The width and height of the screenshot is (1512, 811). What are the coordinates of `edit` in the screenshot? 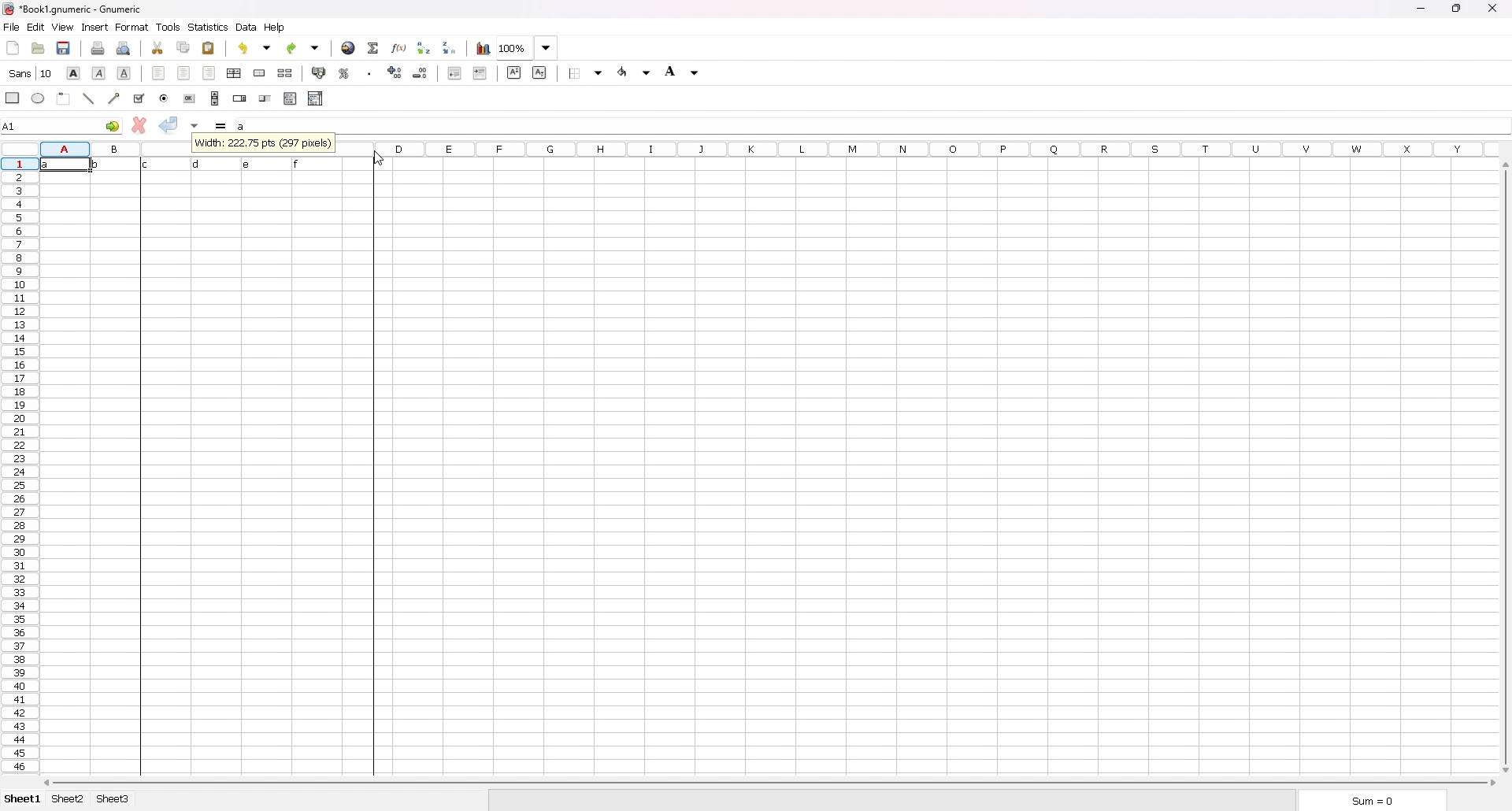 It's located at (36, 27).